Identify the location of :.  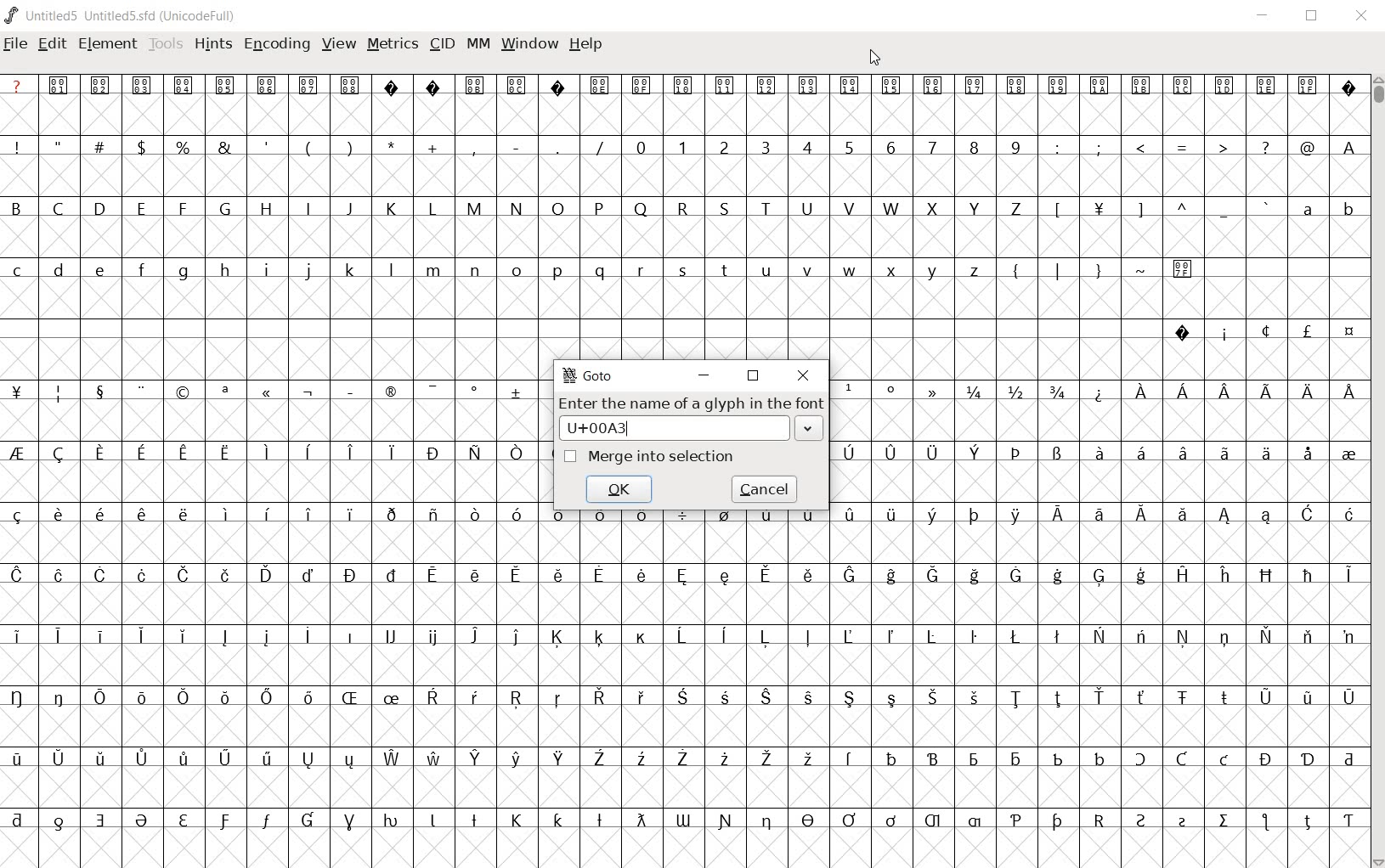
(1055, 146).